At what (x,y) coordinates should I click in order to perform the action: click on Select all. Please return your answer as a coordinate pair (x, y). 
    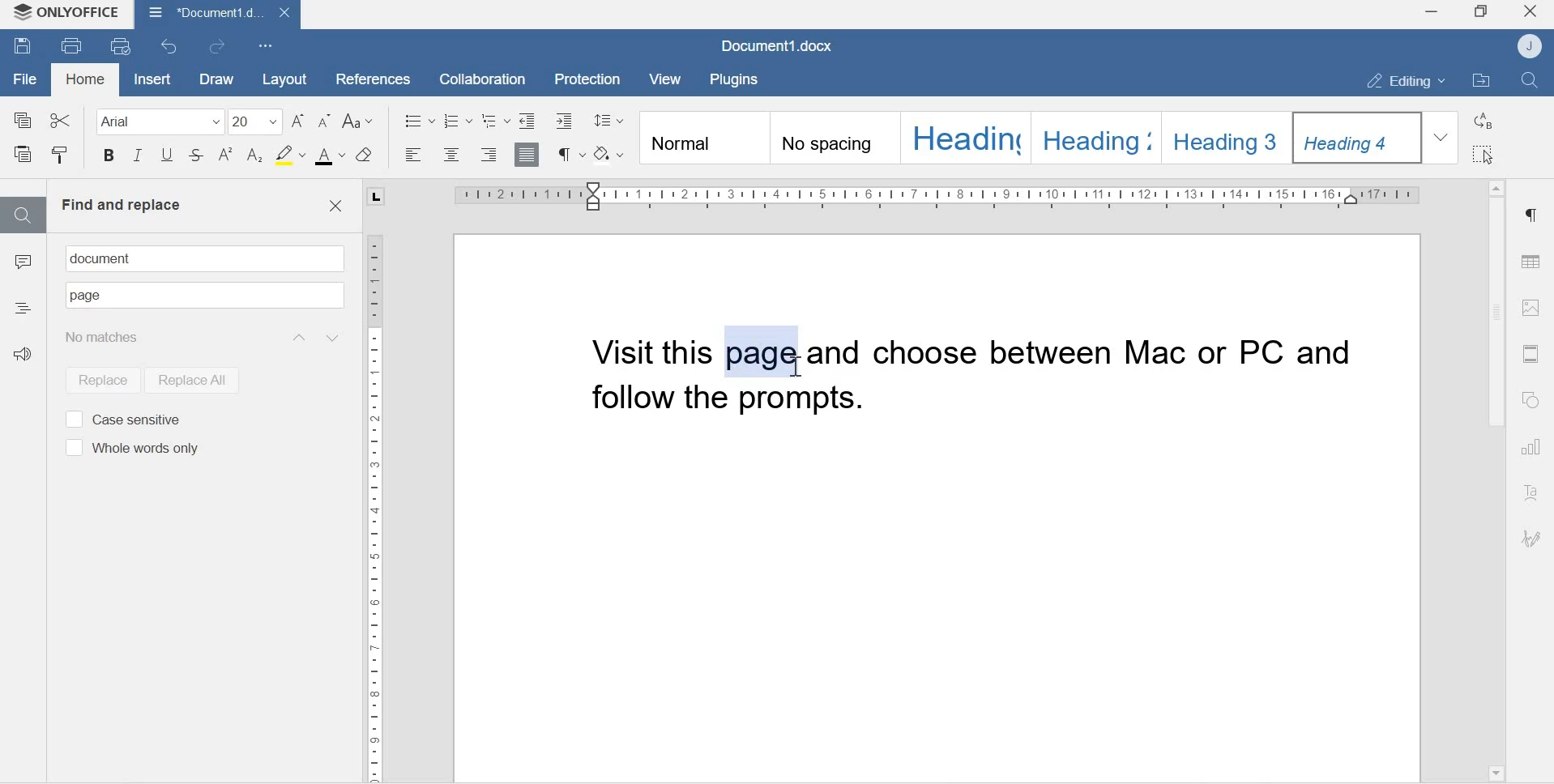
    Looking at the image, I should click on (1485, 155).